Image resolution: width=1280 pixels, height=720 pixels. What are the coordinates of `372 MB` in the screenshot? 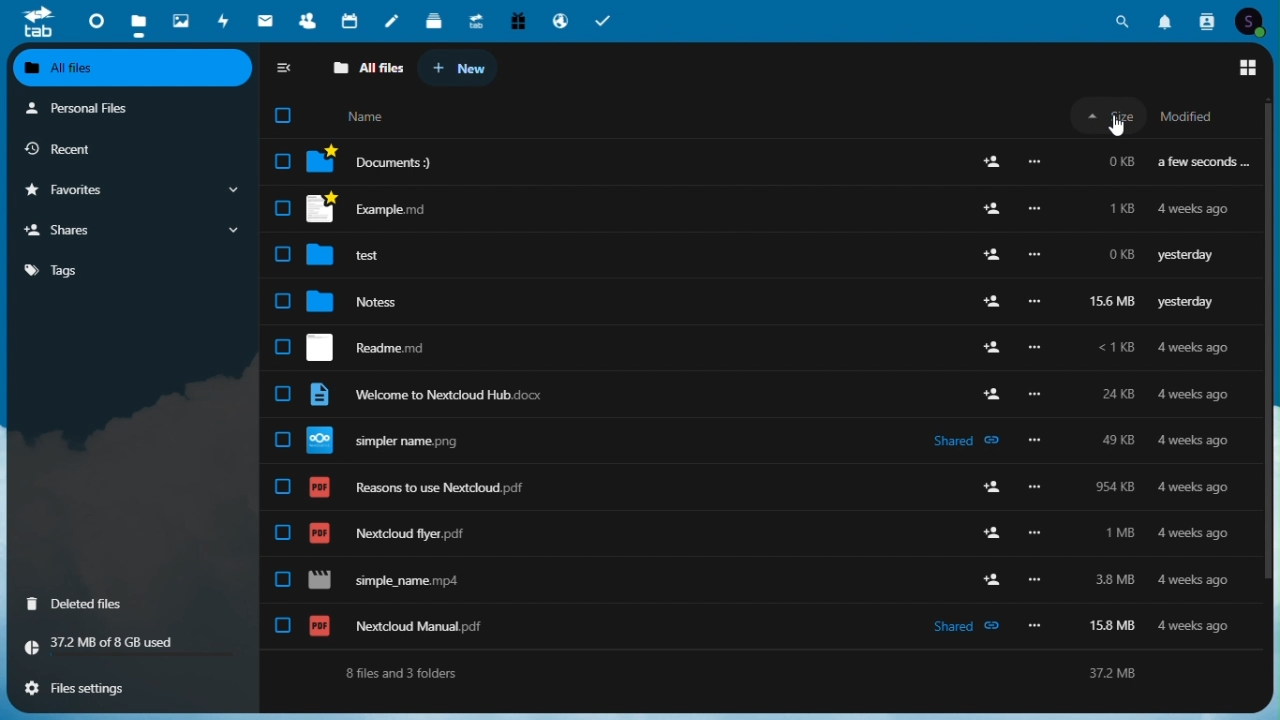 It's located at (1123, 674).